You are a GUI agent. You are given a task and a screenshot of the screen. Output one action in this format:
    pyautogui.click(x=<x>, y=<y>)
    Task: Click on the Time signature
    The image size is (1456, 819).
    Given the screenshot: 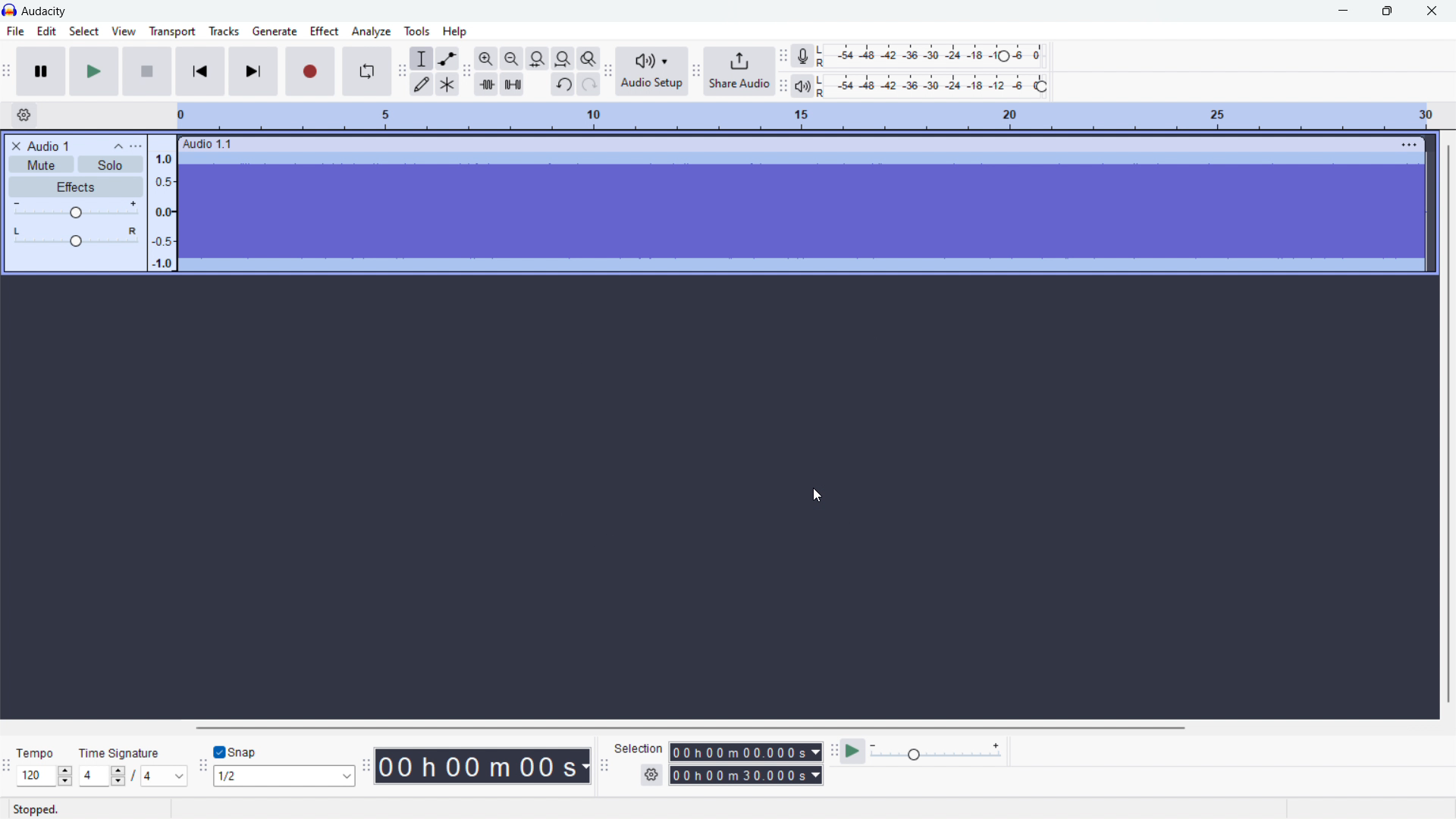 What is the action you would take?
    pyautogui.click(x=121, y=753)
    